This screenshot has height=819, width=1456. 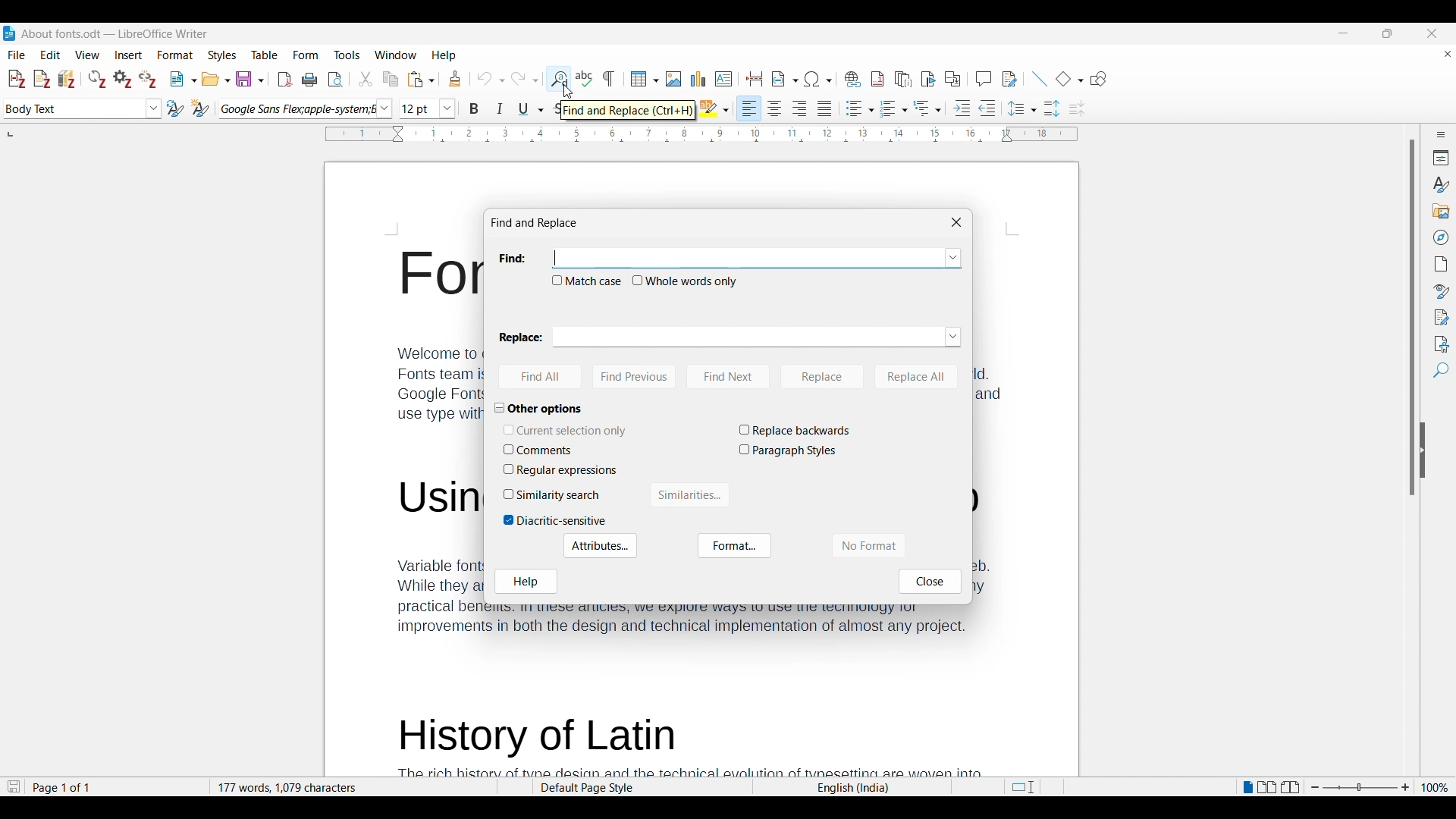 What do you see at coordinates (153, 108) in the screenshot?
I see `Paragraph style options` at bounding box center [153, 108].